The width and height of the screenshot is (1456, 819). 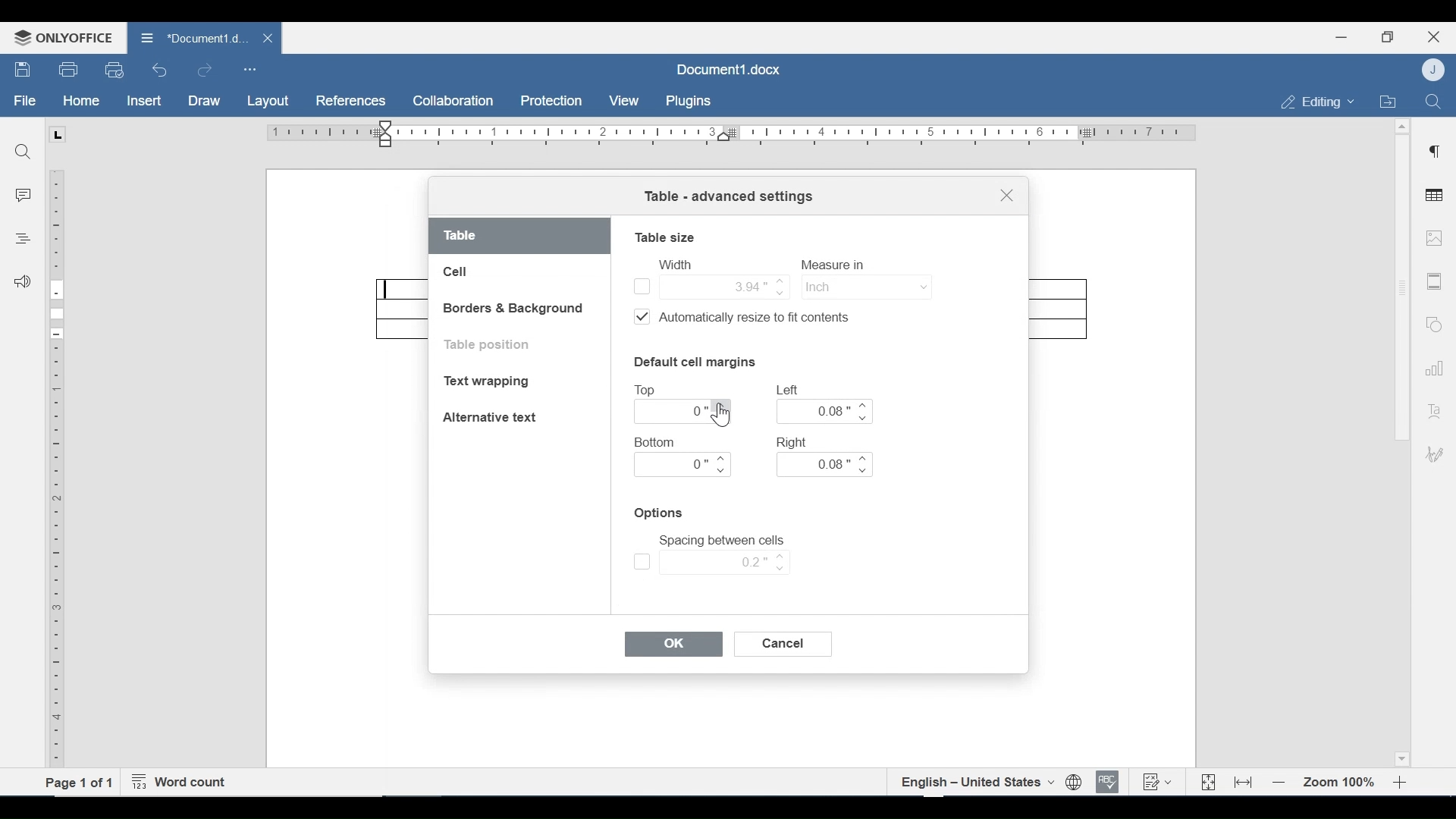 I want to click on Spacing between cells, so click(x=722, y=541).